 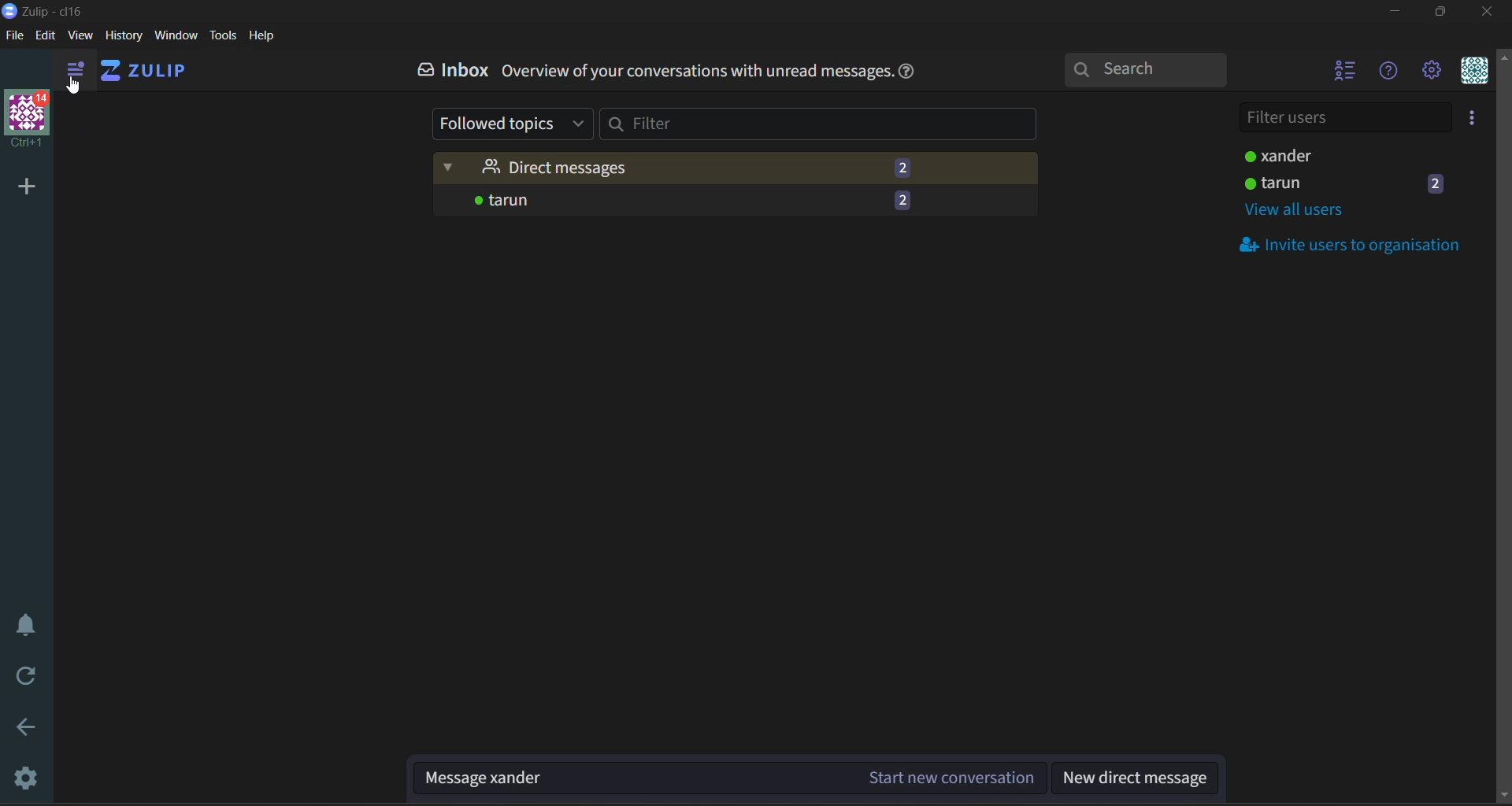 I want to click on direct messages (2), so click(x=736, y=168).